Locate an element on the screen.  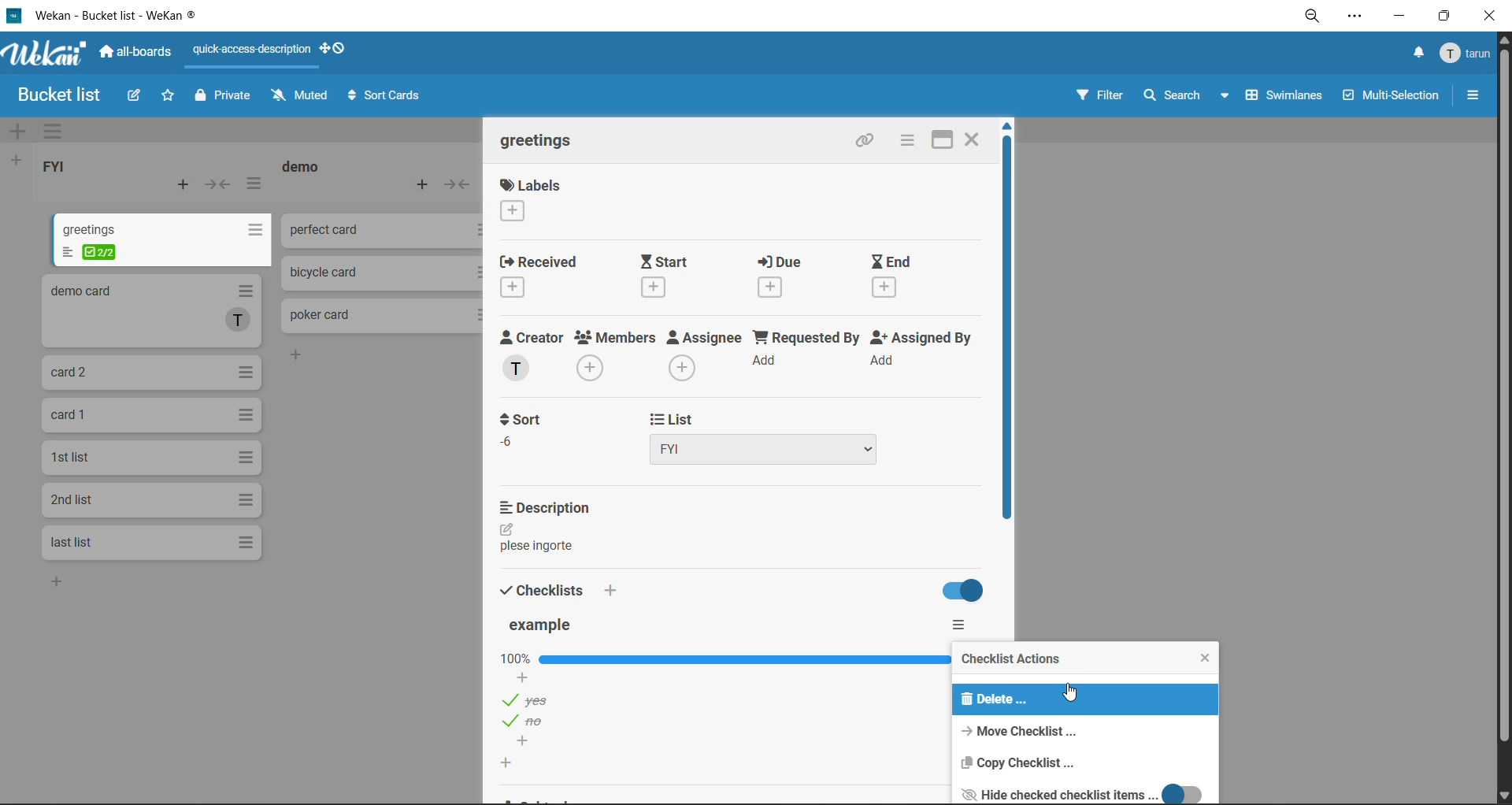
app logo is located at coordinates (47, 57).